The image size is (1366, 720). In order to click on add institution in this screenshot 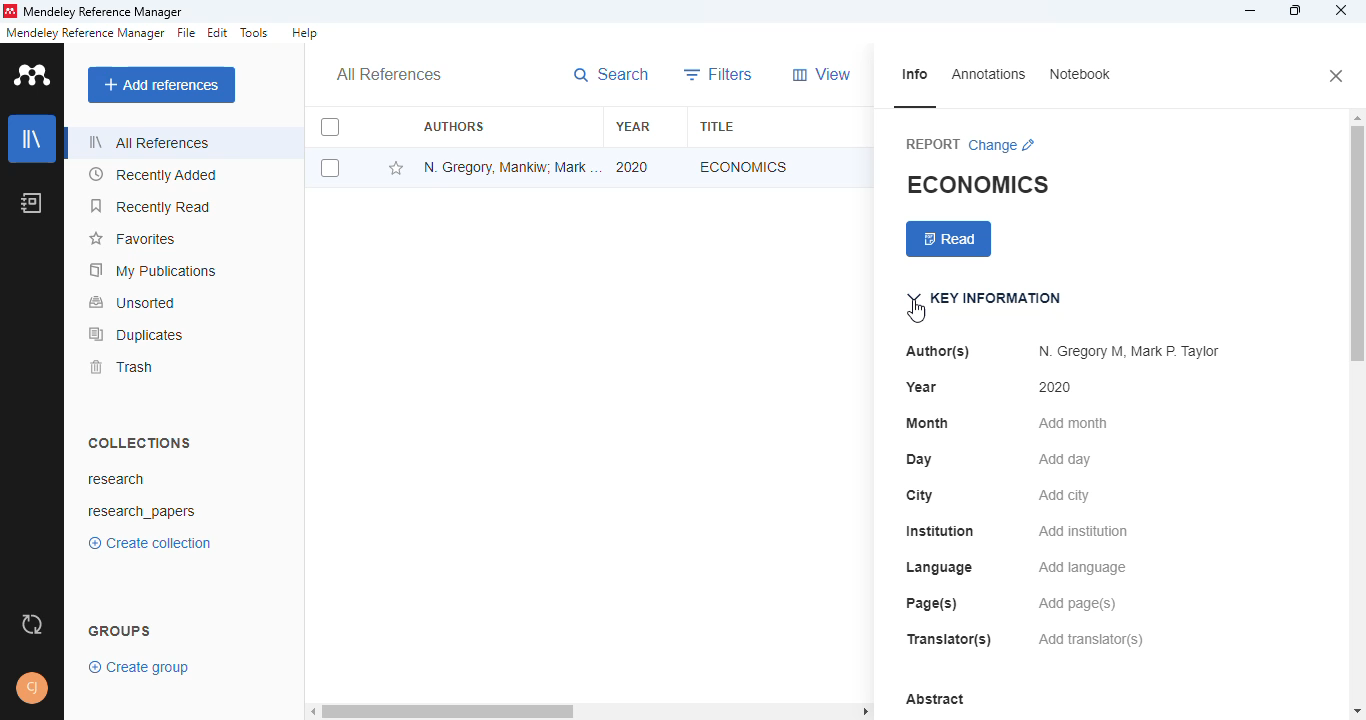, I will do `click(1083, 531)`.